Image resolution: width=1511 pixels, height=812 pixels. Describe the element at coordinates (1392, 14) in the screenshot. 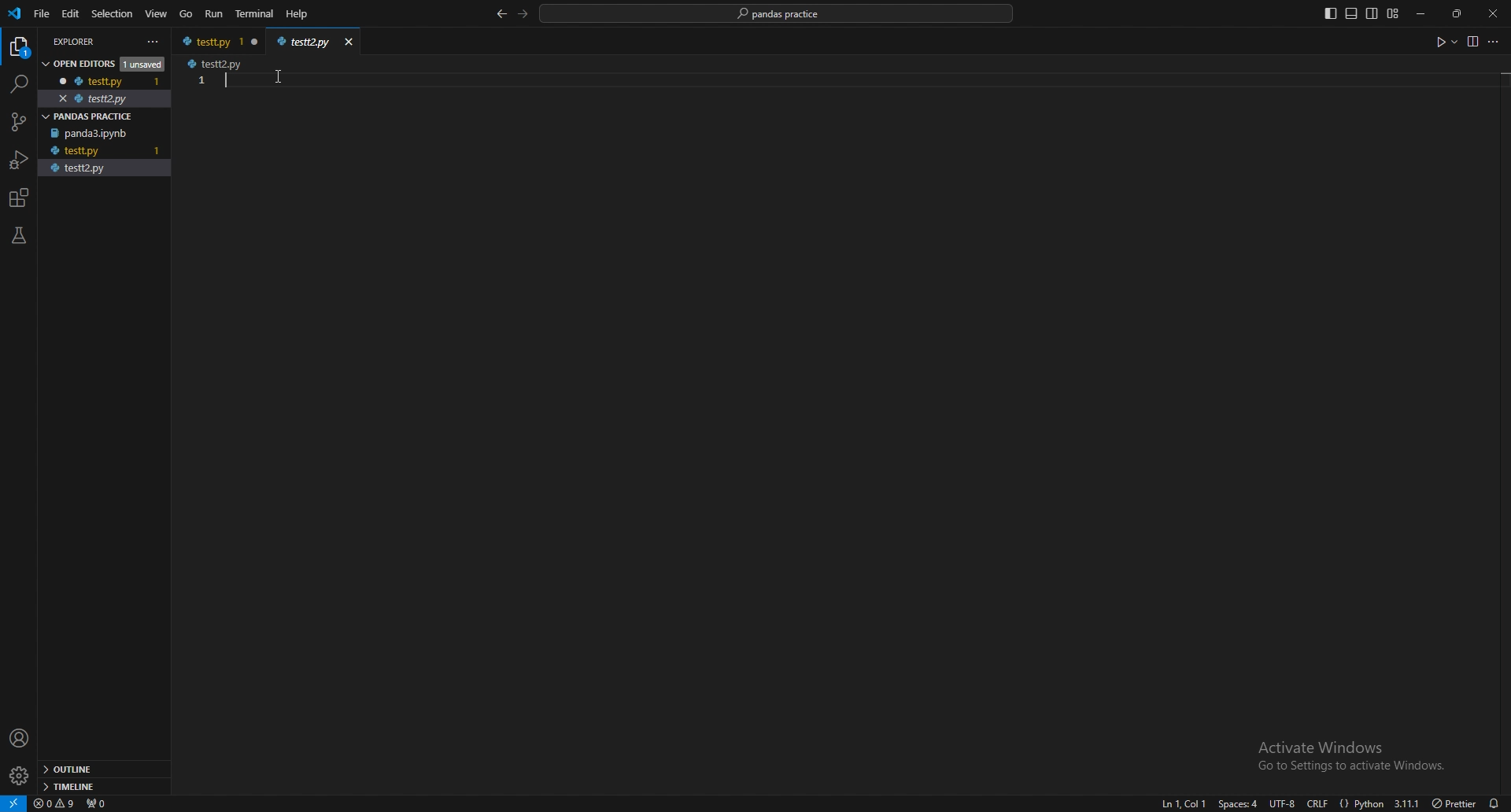

I see `customize layout` at that location.